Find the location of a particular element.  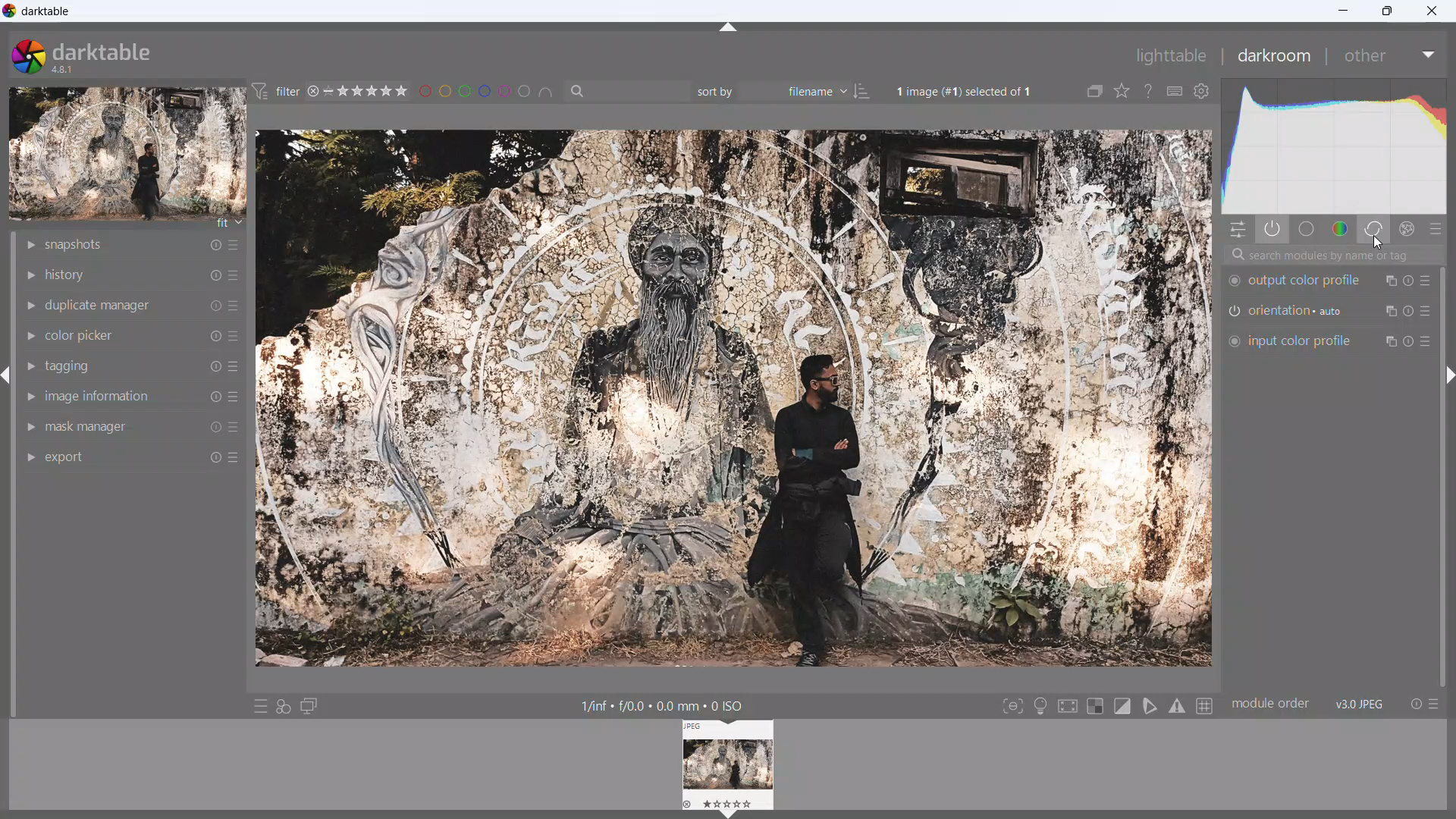

color is located at coordinates (1341, 230).